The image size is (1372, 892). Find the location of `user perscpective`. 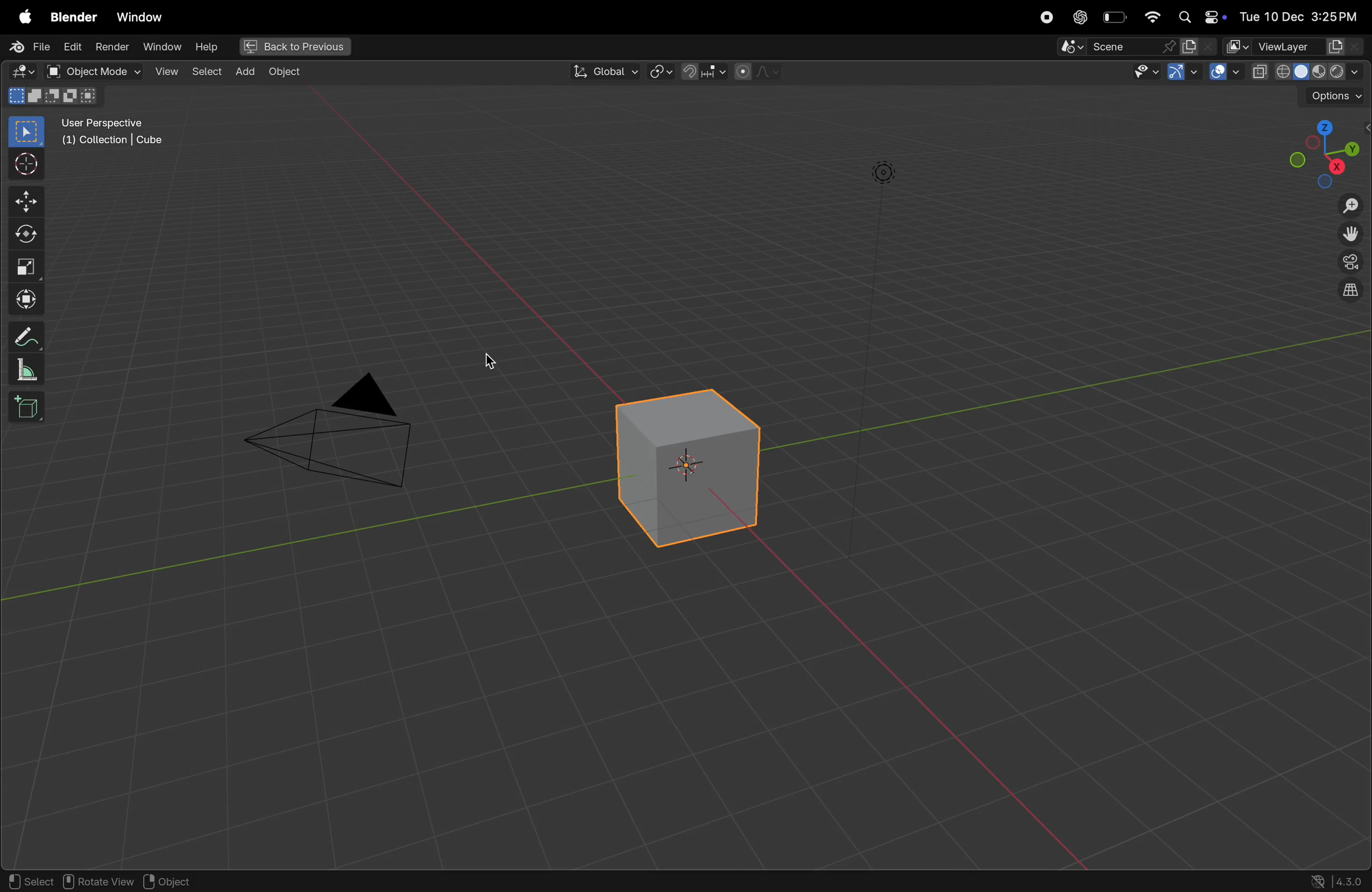

user perscpective is located at coordinates (110, 131).